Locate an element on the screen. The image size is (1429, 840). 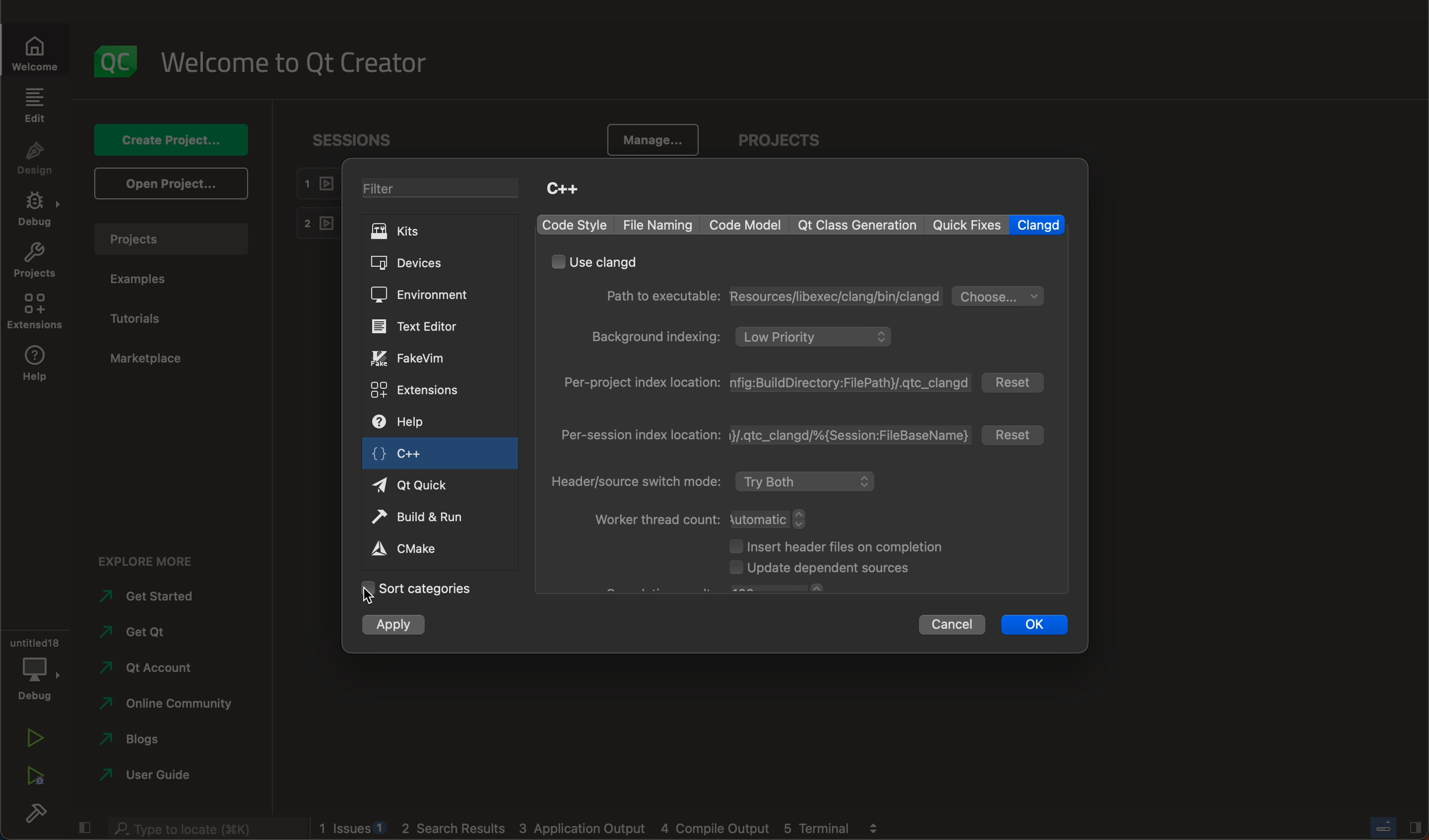
ok is located at coordinates (1035, 625).